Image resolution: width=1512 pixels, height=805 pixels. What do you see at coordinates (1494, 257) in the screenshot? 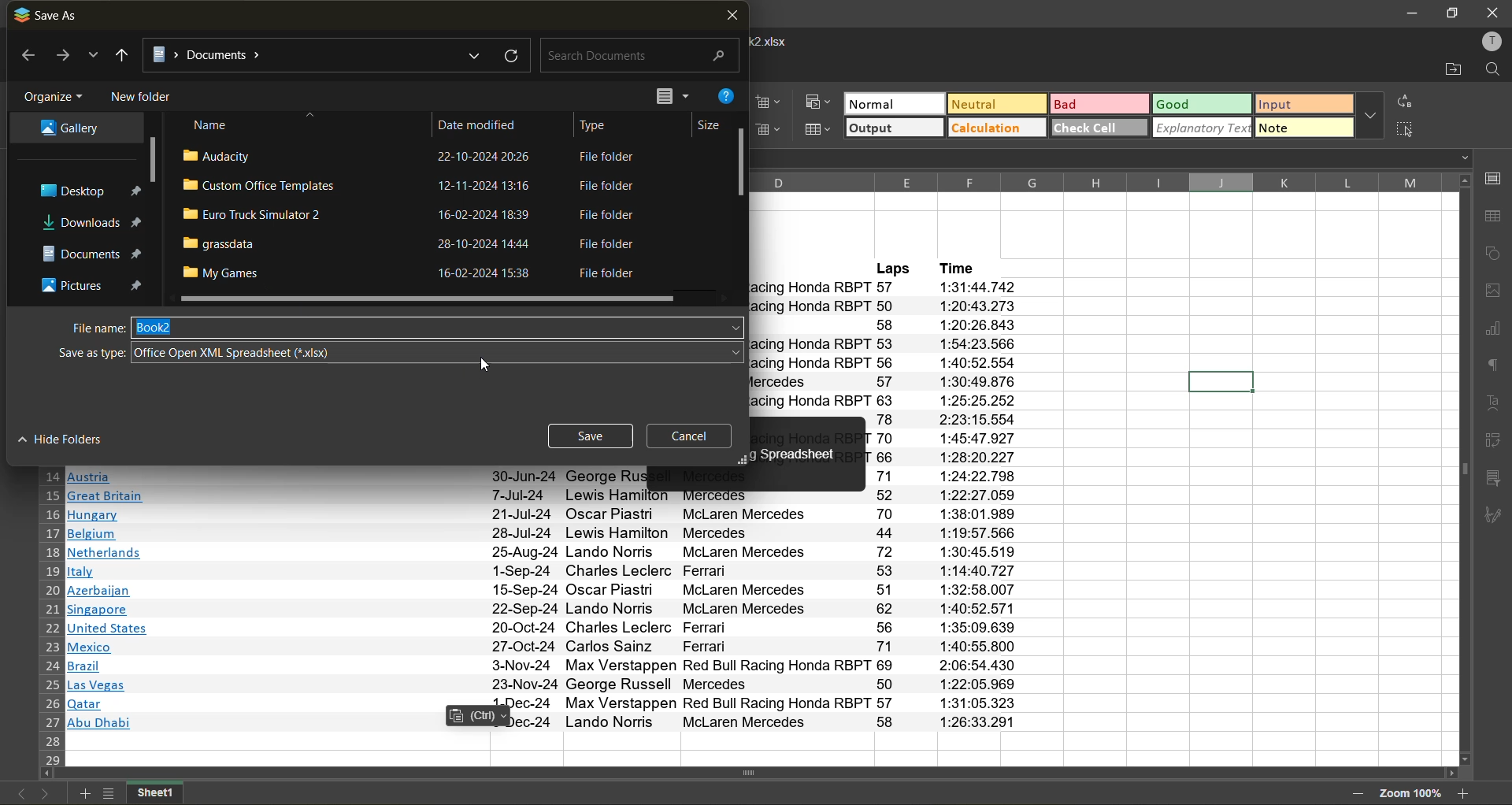
I see `shapes` at bounding box center [1494, 257].